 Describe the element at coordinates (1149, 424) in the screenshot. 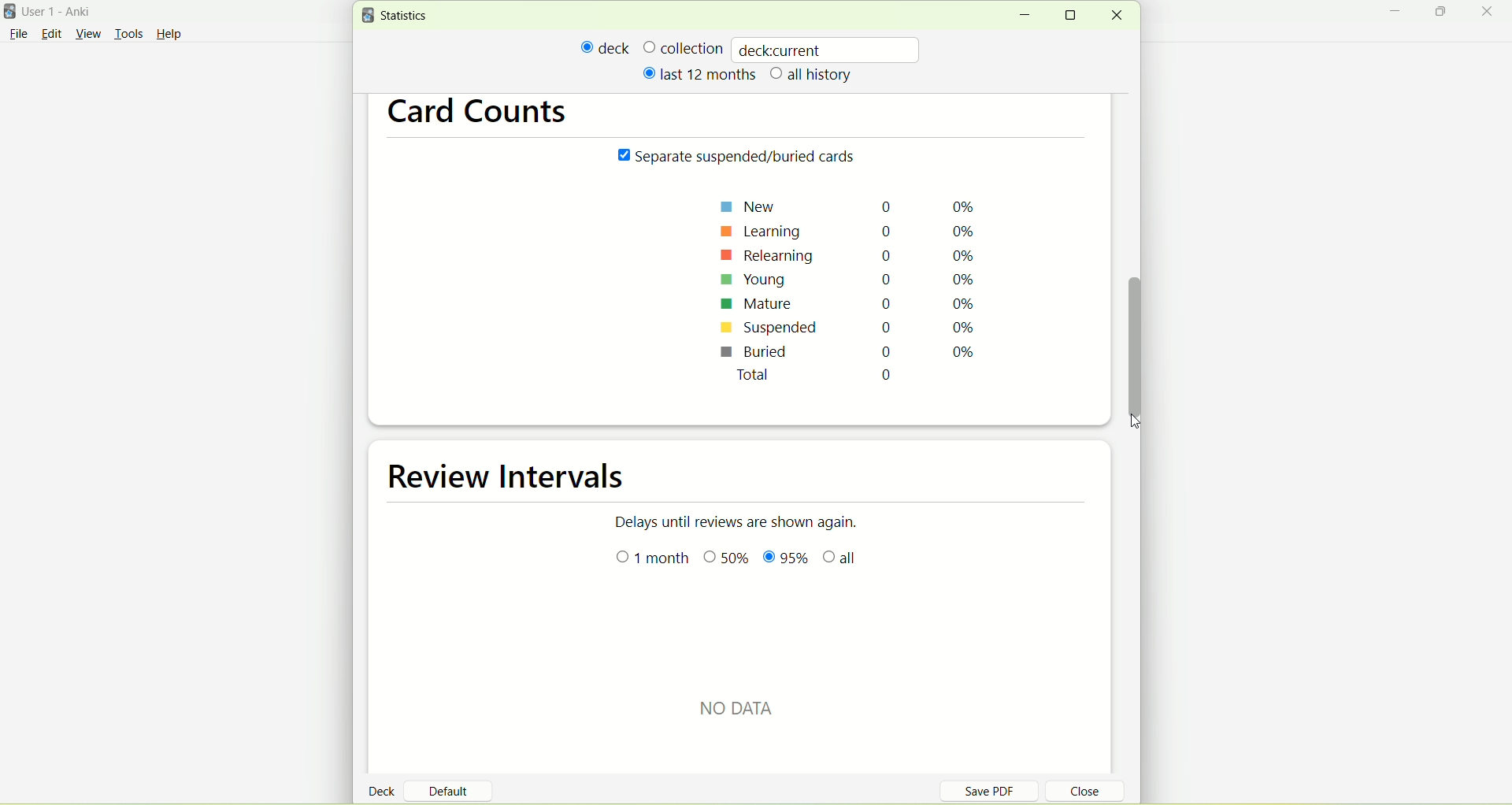

I see `cursor` at that location.